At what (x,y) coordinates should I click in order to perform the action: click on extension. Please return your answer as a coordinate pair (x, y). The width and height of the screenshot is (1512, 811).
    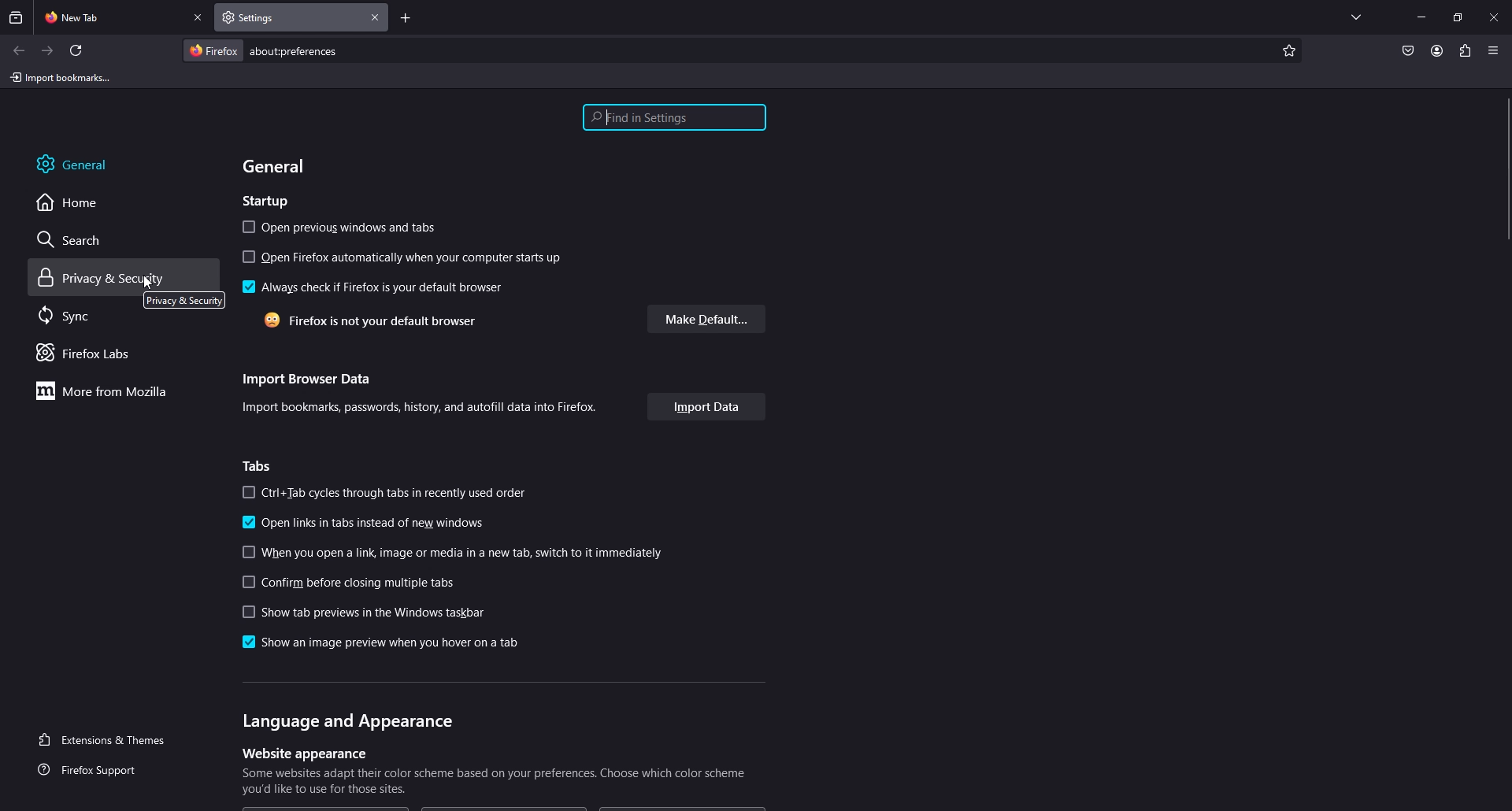
    Looking at the image, I should click on (1466, 50).